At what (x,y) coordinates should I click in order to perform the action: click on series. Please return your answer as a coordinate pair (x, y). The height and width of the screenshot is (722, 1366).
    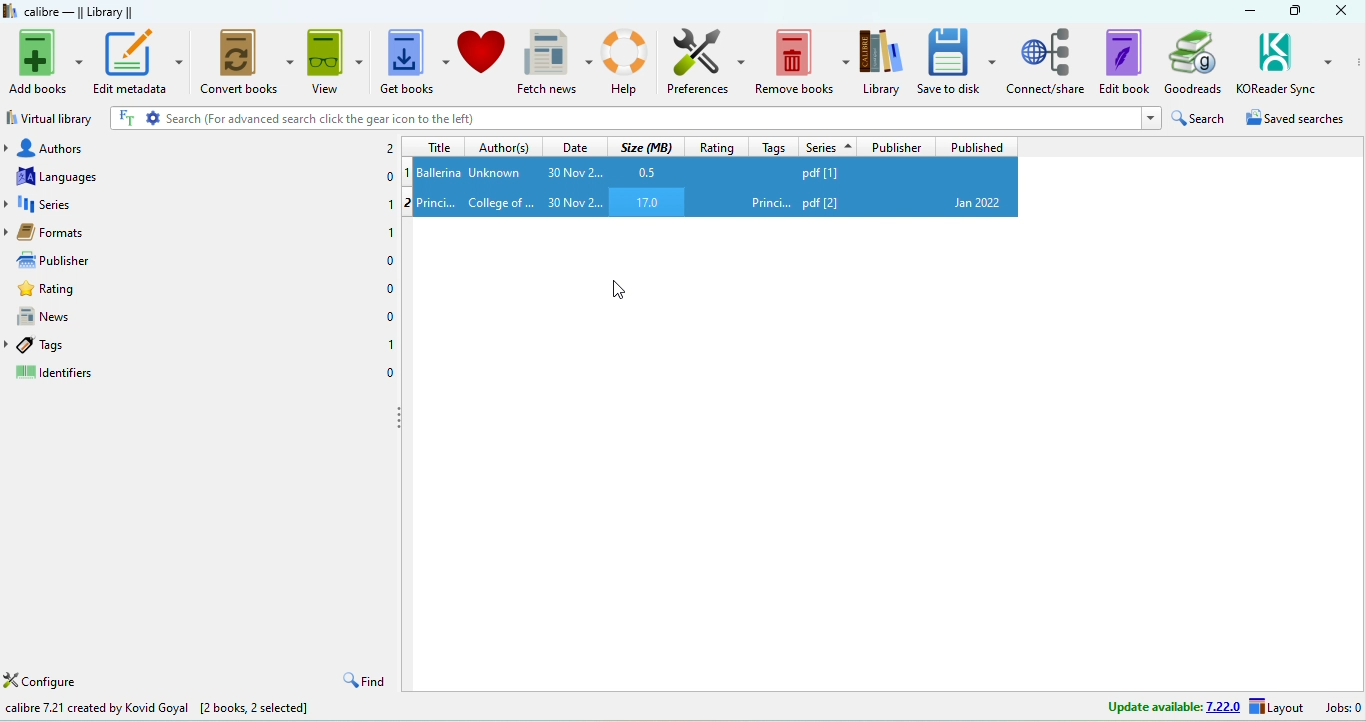
    Looking at the image, I should click on (83, 203).